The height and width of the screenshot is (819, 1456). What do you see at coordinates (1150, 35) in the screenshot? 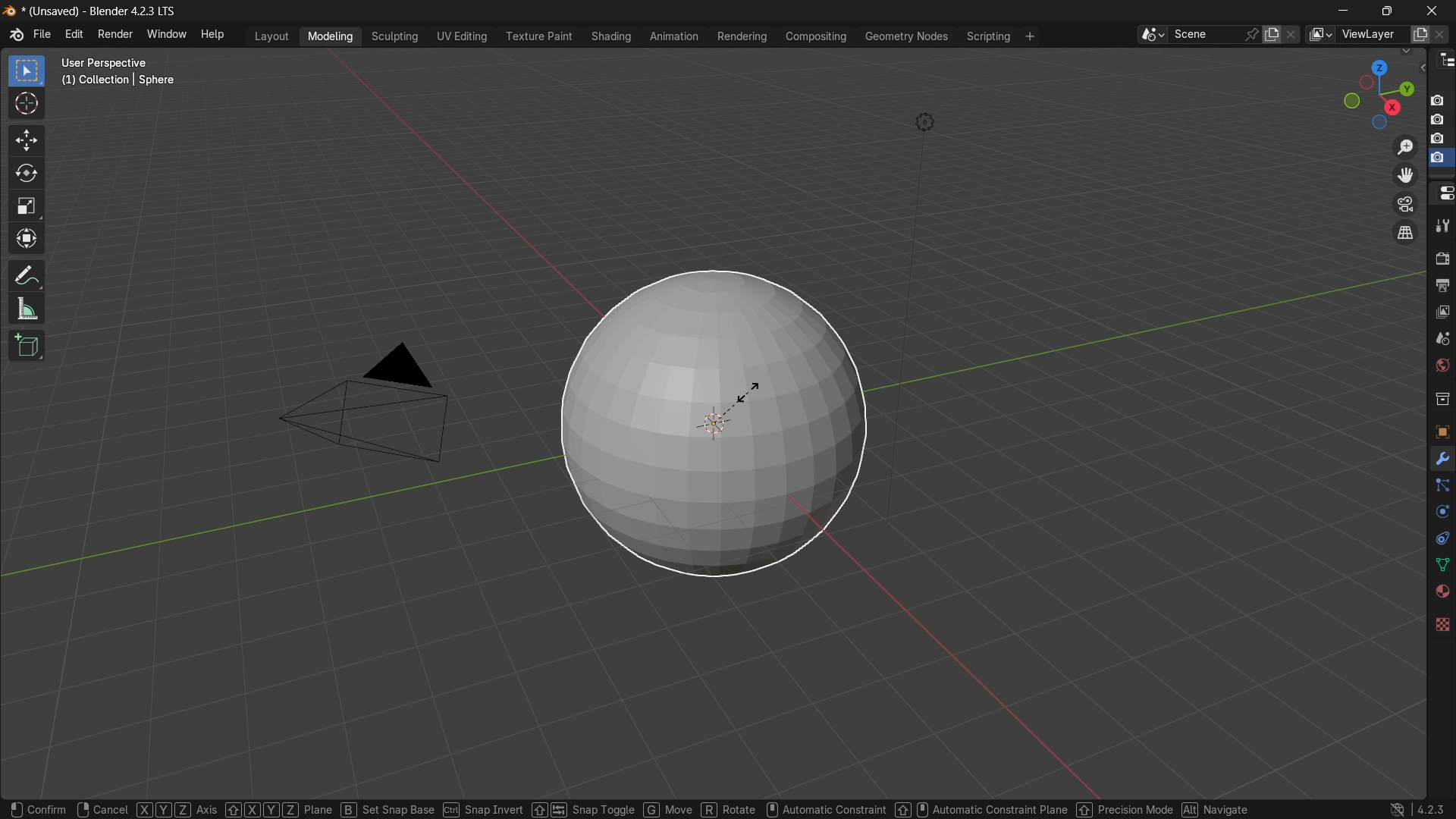
I see `browse scenes` at bounding box center [1150, 35].